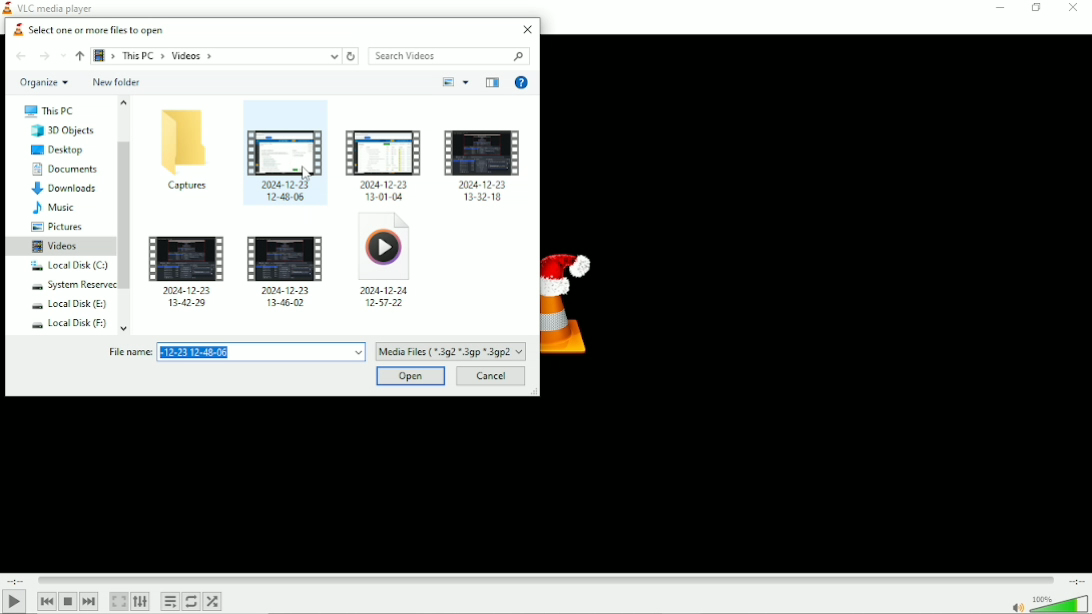 This screenshot has height=614, width=1092. Describe the element at coordinates (55, 227) in the screenshot. I see `Pictures` at that location.